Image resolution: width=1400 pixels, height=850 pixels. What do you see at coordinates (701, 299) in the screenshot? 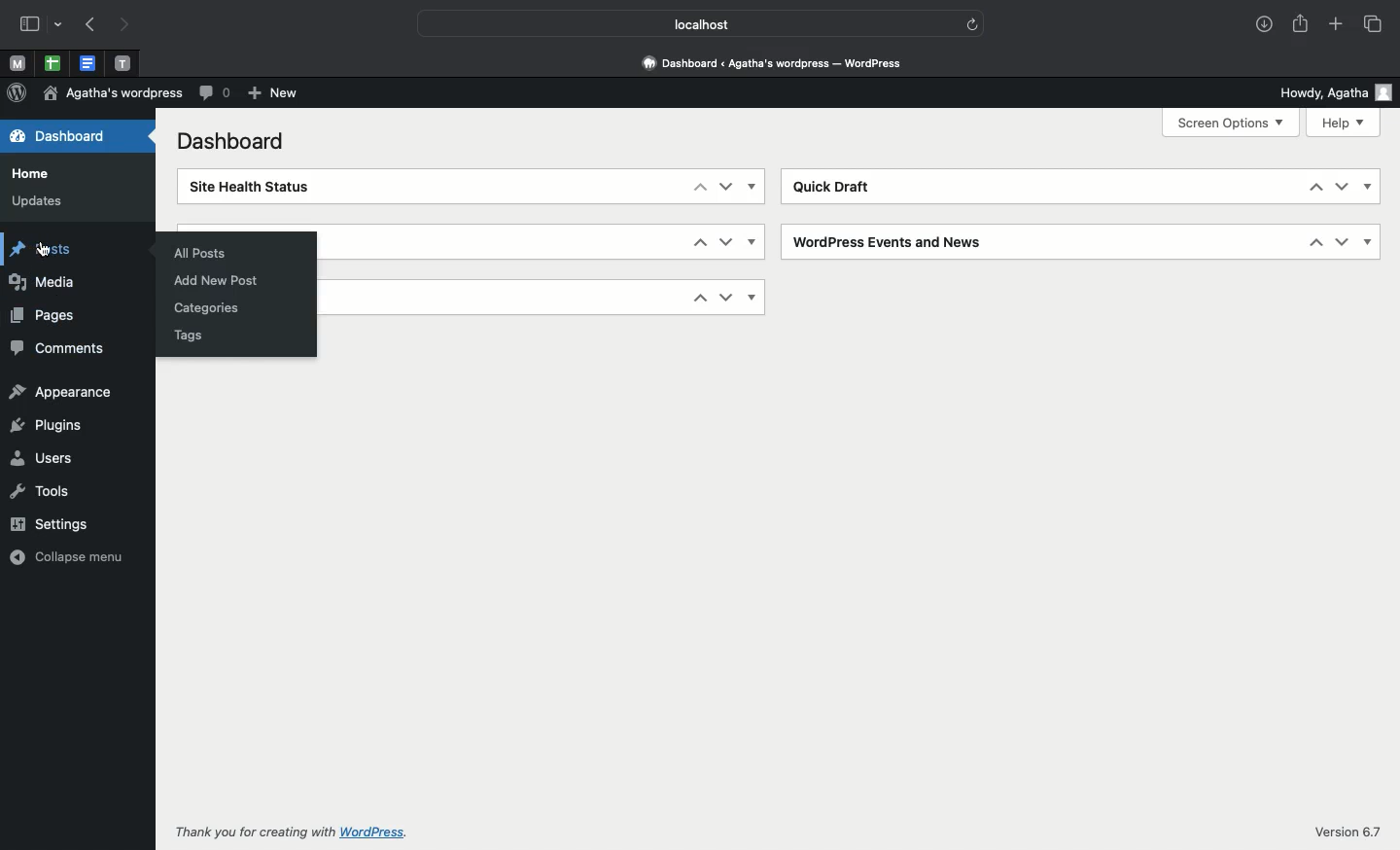
I see `Up` at bounding box center [701, 299].